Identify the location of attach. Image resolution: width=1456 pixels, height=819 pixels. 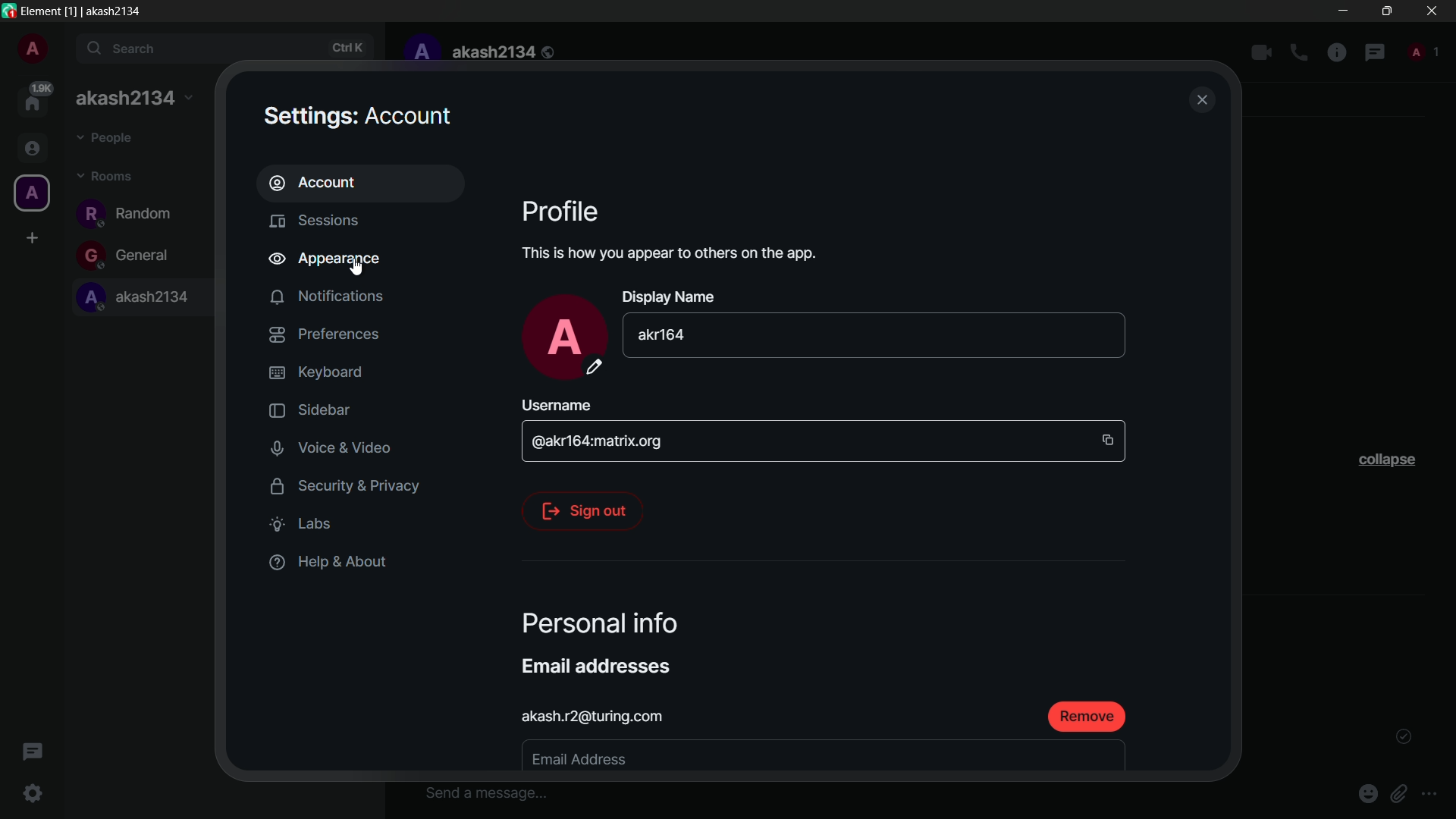
(1402, 793).